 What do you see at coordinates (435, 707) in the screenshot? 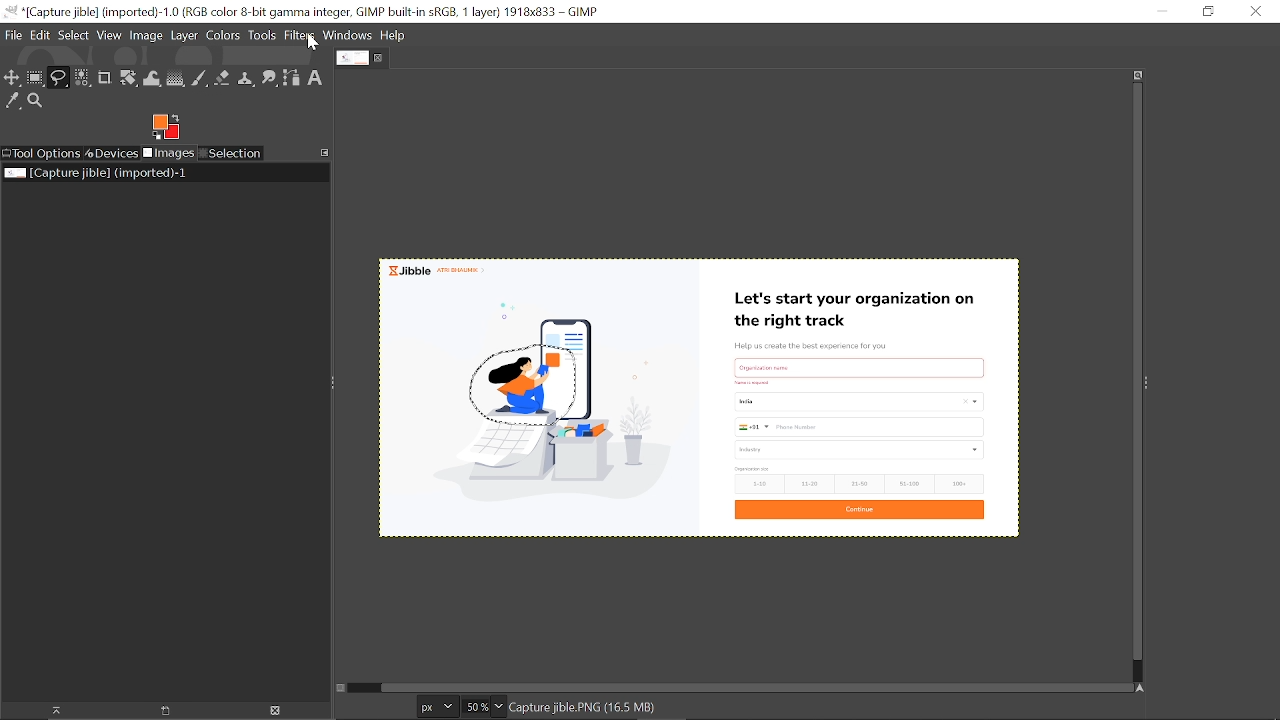
I see `Current image unit` at bounding box center [435, 707].